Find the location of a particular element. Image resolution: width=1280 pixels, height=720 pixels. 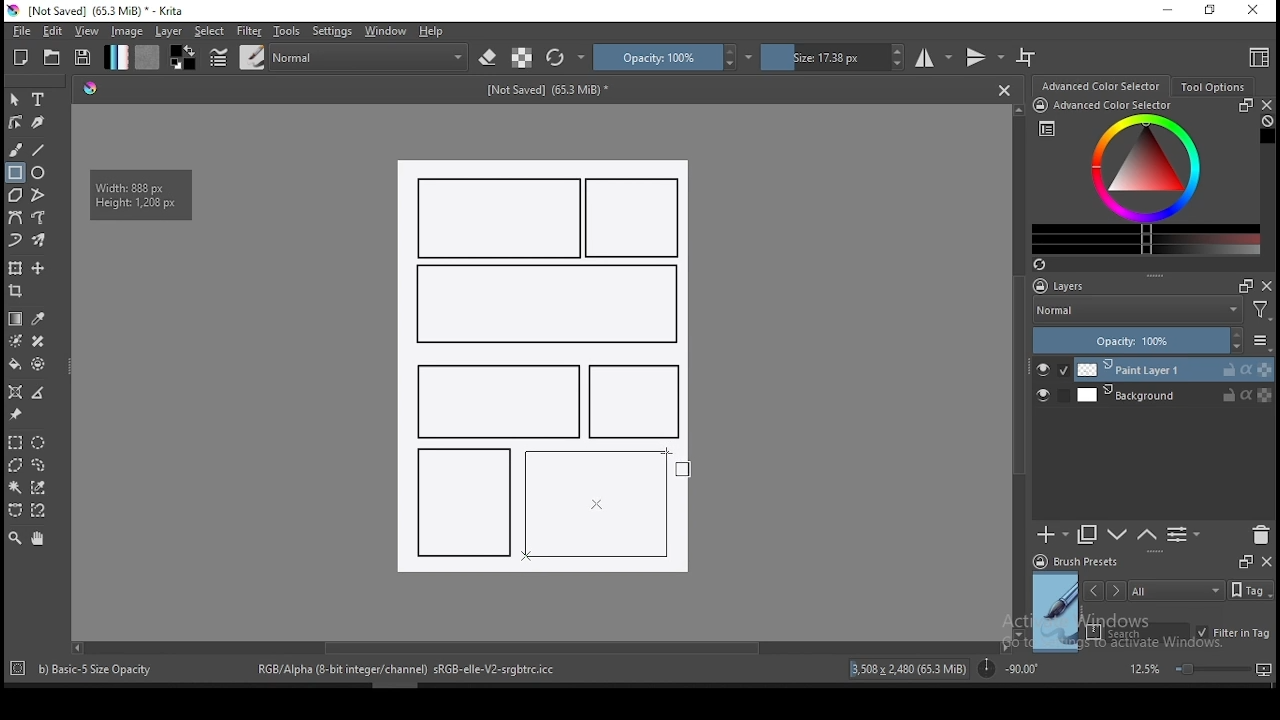

horizontal mirror tool is located at coordinates (934, 57).